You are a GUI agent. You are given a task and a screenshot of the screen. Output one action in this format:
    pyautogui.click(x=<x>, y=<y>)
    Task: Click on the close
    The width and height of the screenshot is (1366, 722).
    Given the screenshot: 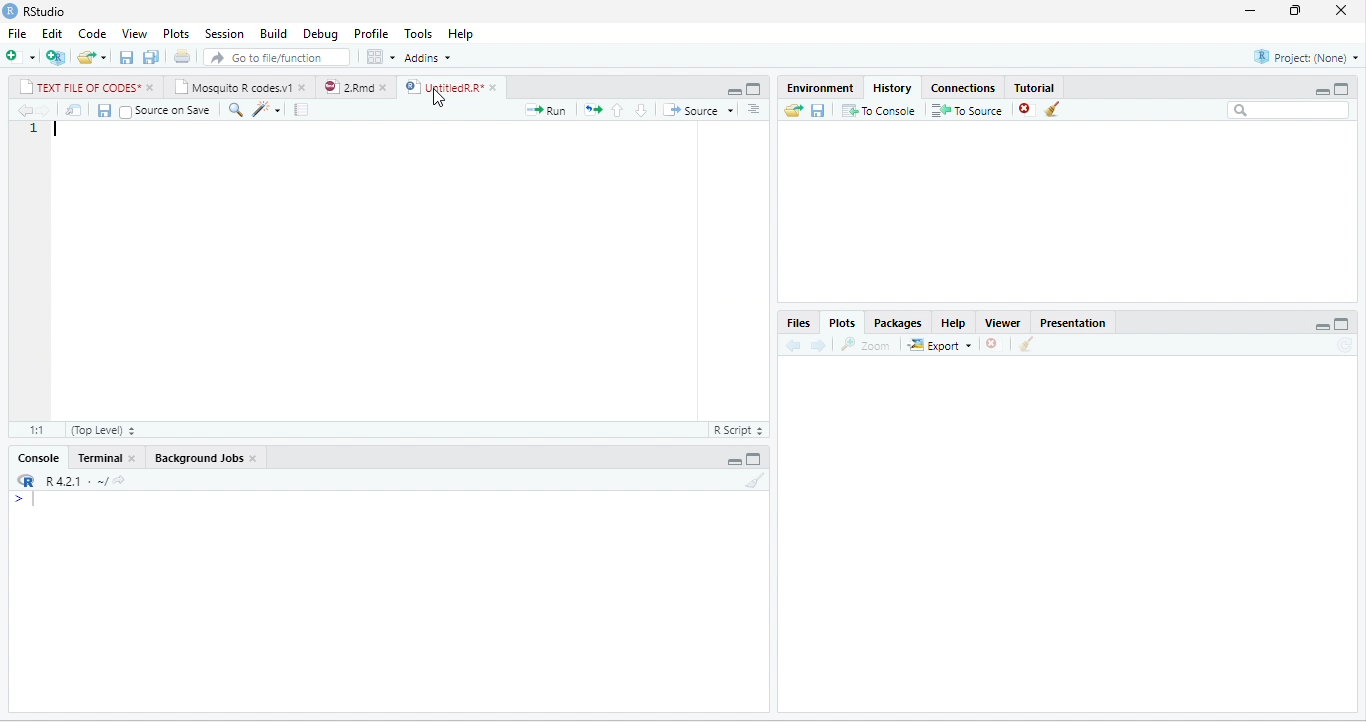 What is the action you would take?
    pyautogui.click(x=496, y=88)
    